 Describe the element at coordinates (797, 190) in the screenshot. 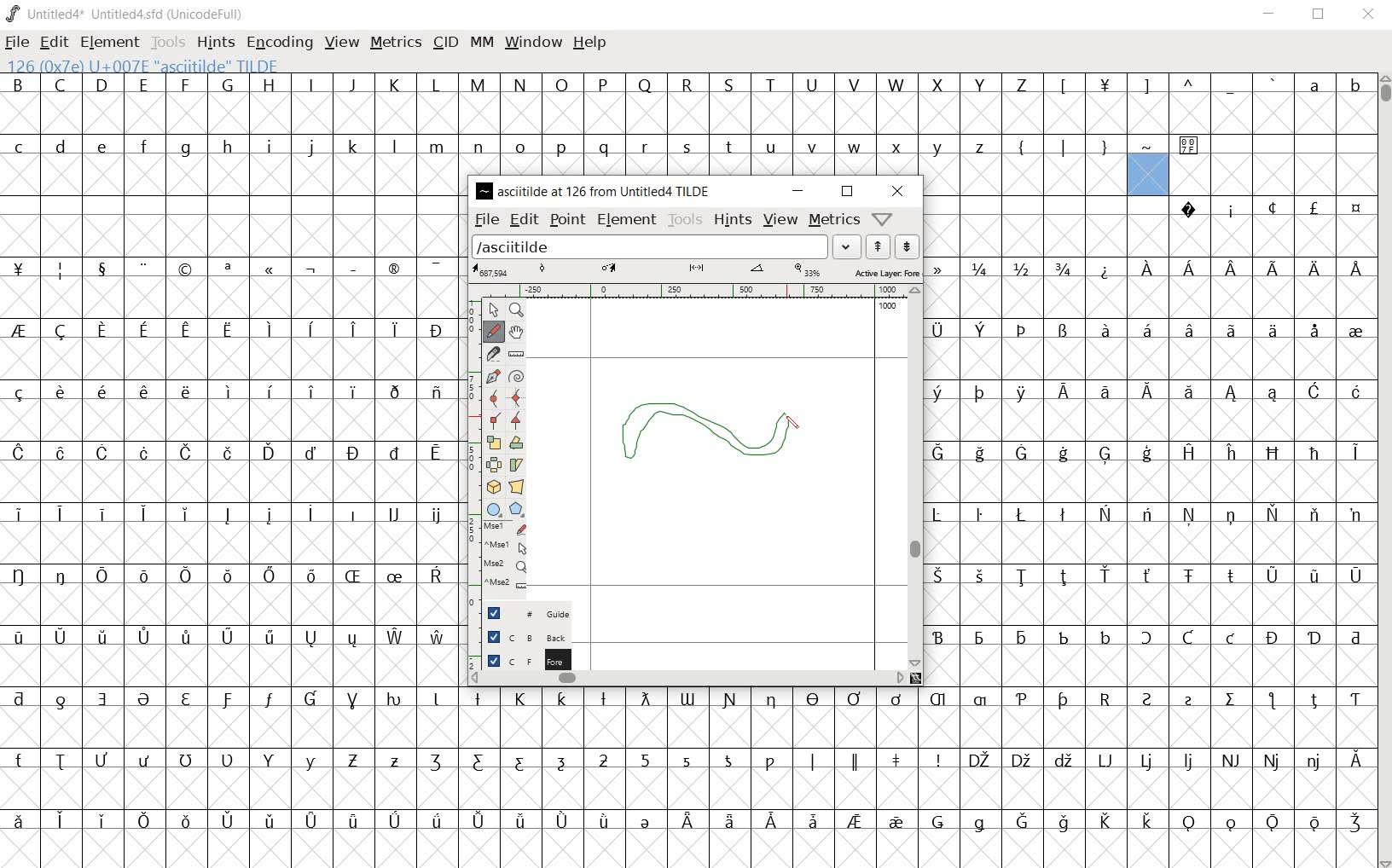

I see `minimize` at that location.